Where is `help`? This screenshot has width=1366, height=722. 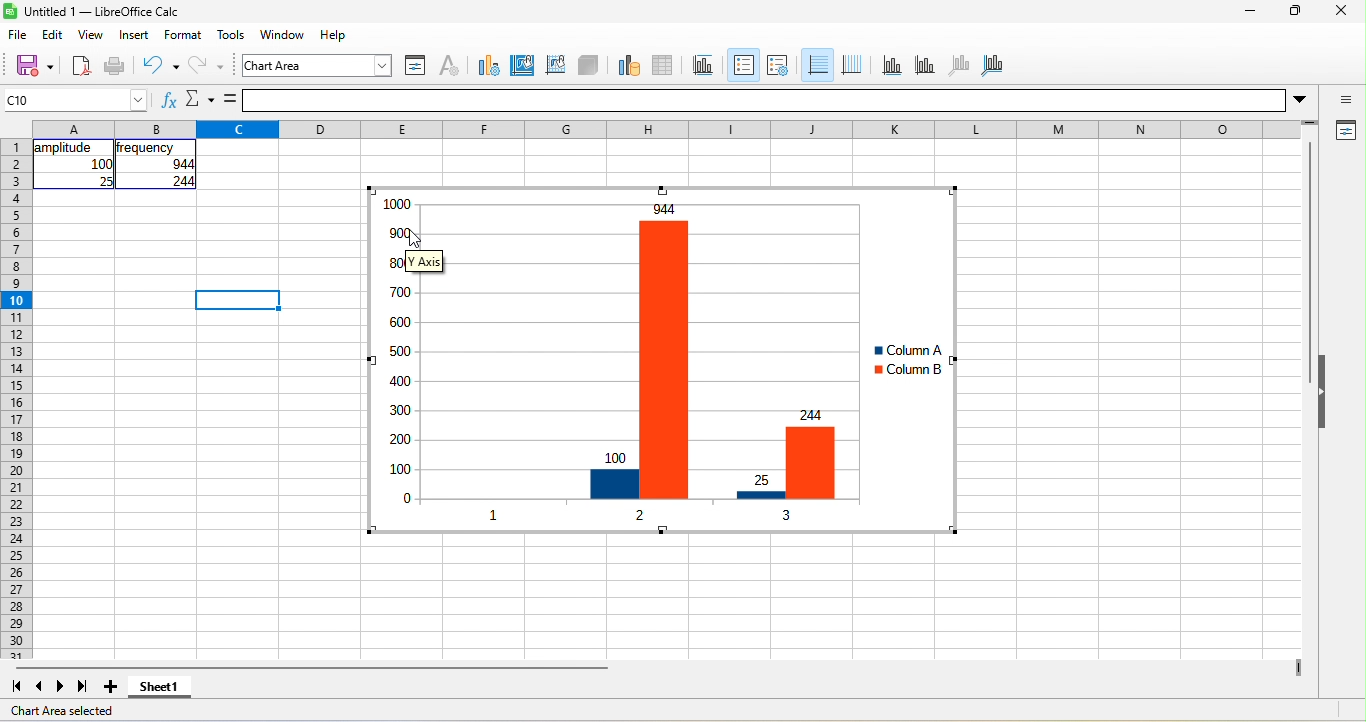 help is located at coordinates (335, 34).